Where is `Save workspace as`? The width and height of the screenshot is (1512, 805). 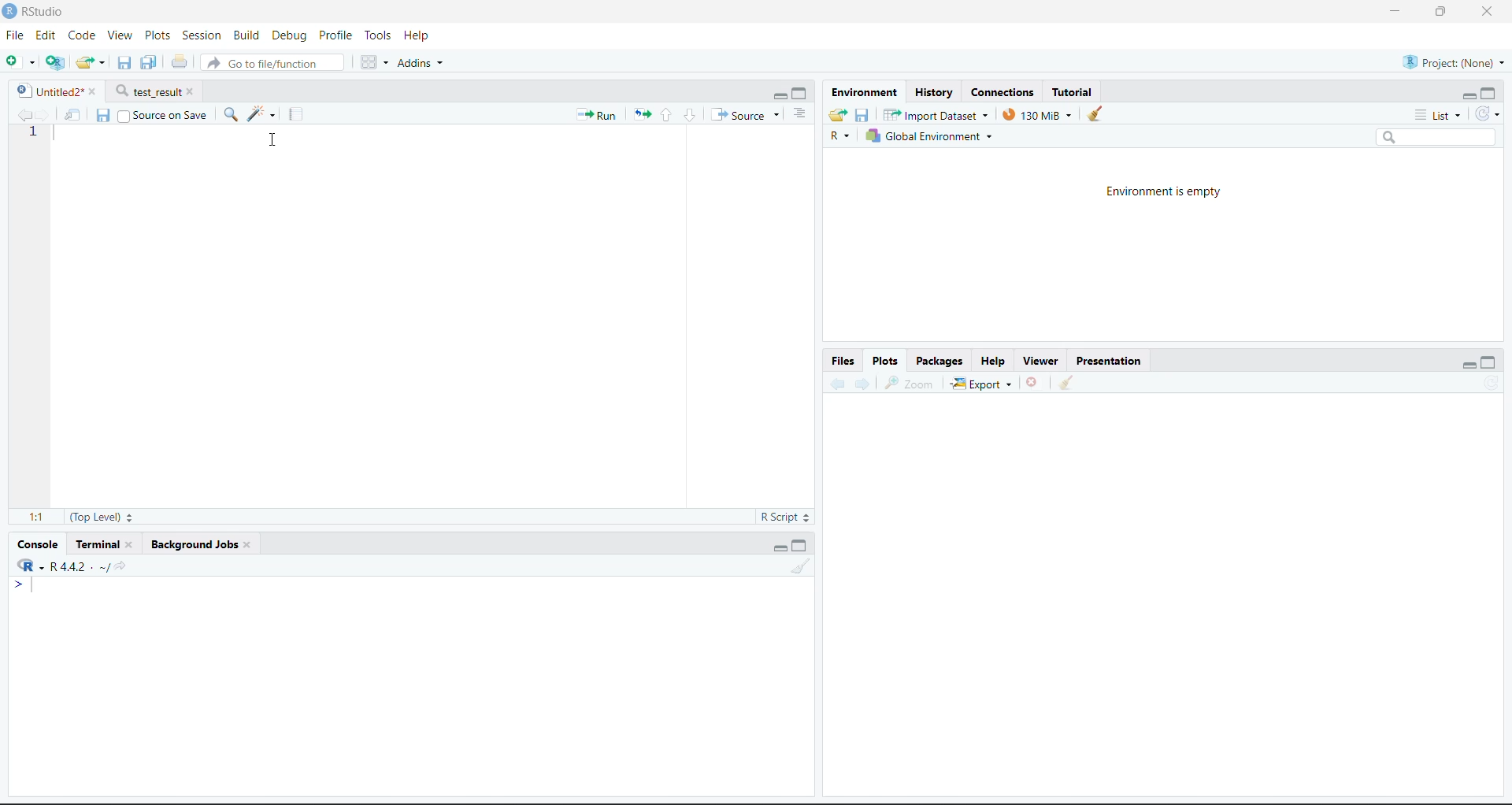
Save workspace as is located at coordinates (863, 113).